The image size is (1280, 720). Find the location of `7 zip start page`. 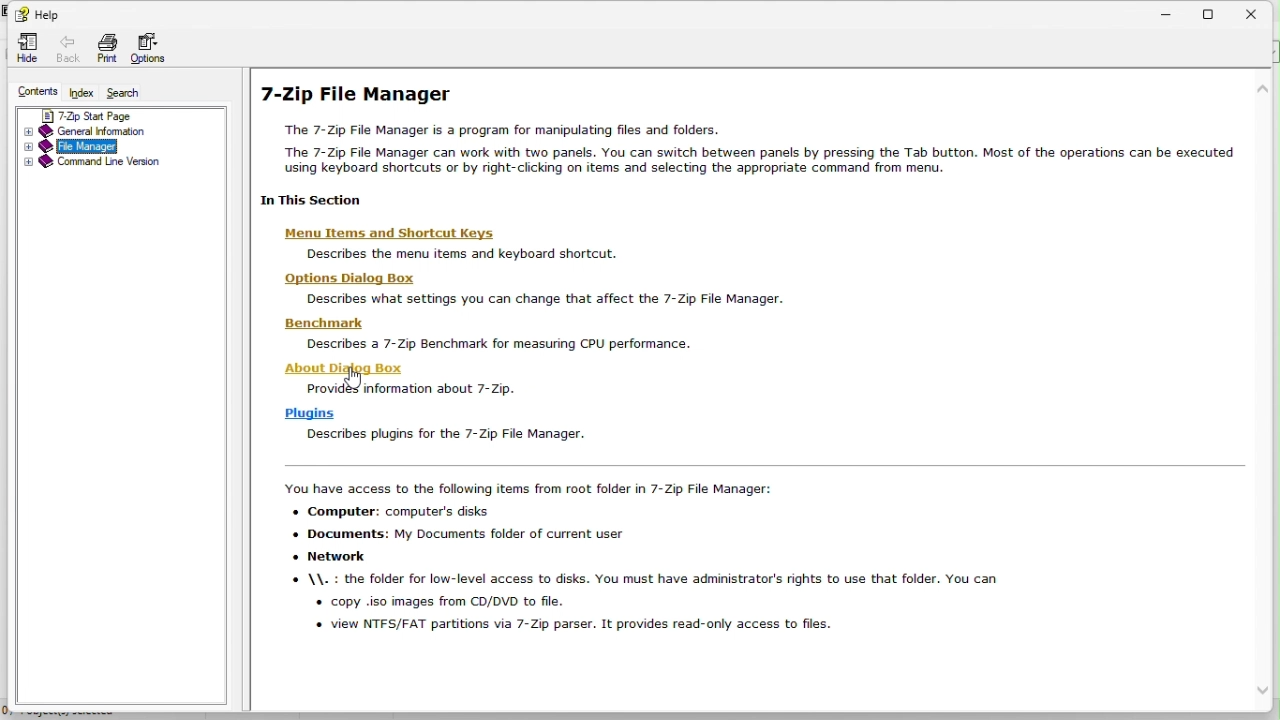

7 zip start page is located at coordinates (72, 114).